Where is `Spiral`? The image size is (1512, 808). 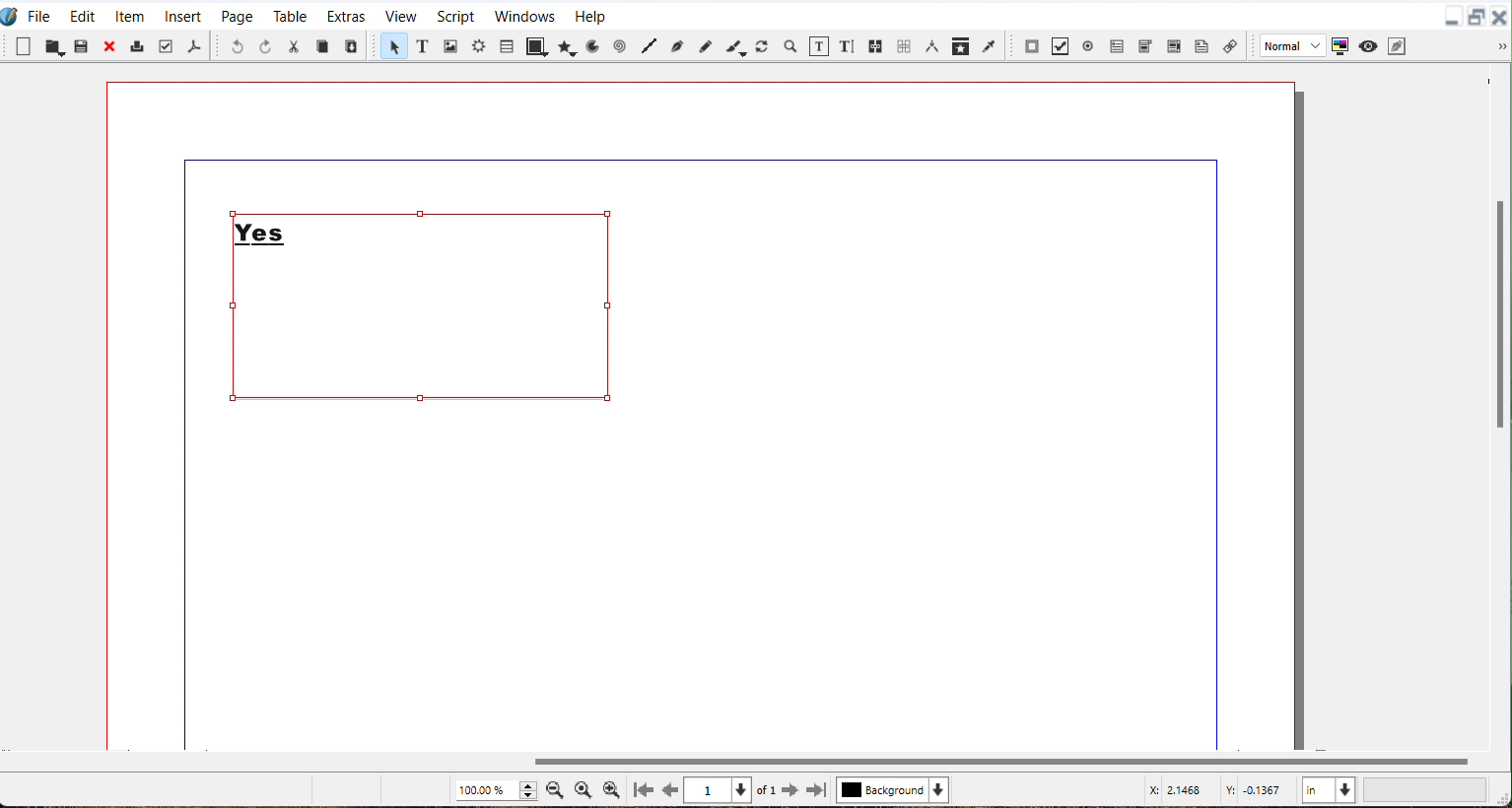
Spiral is located at coordinates (620, 46).